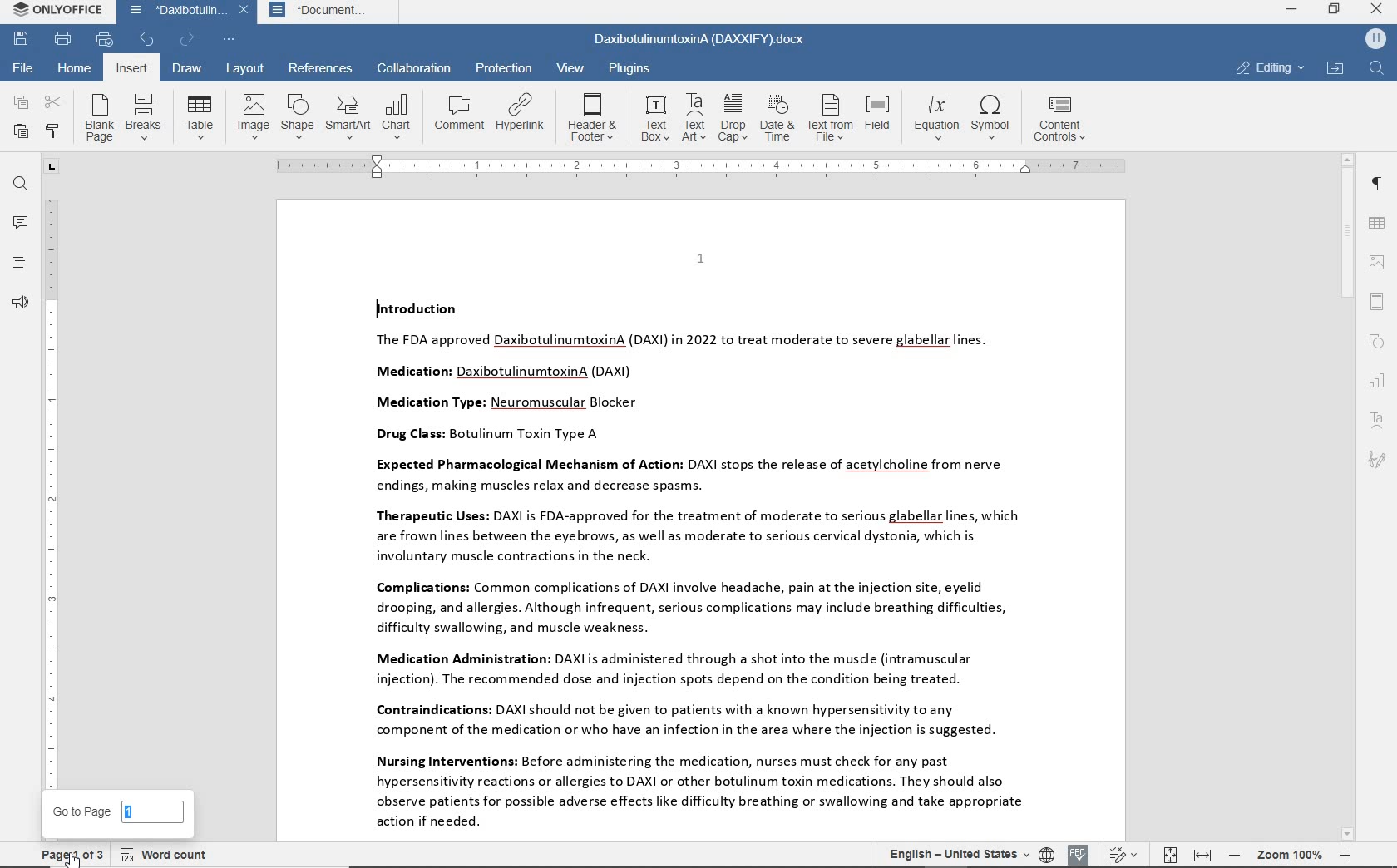 The image size is (1397, 868). Describe the element at coordinates (700, 41) in the screenshot. I see `DaxibotulinumtoxinA (DAXXIFY).docx` at that location.